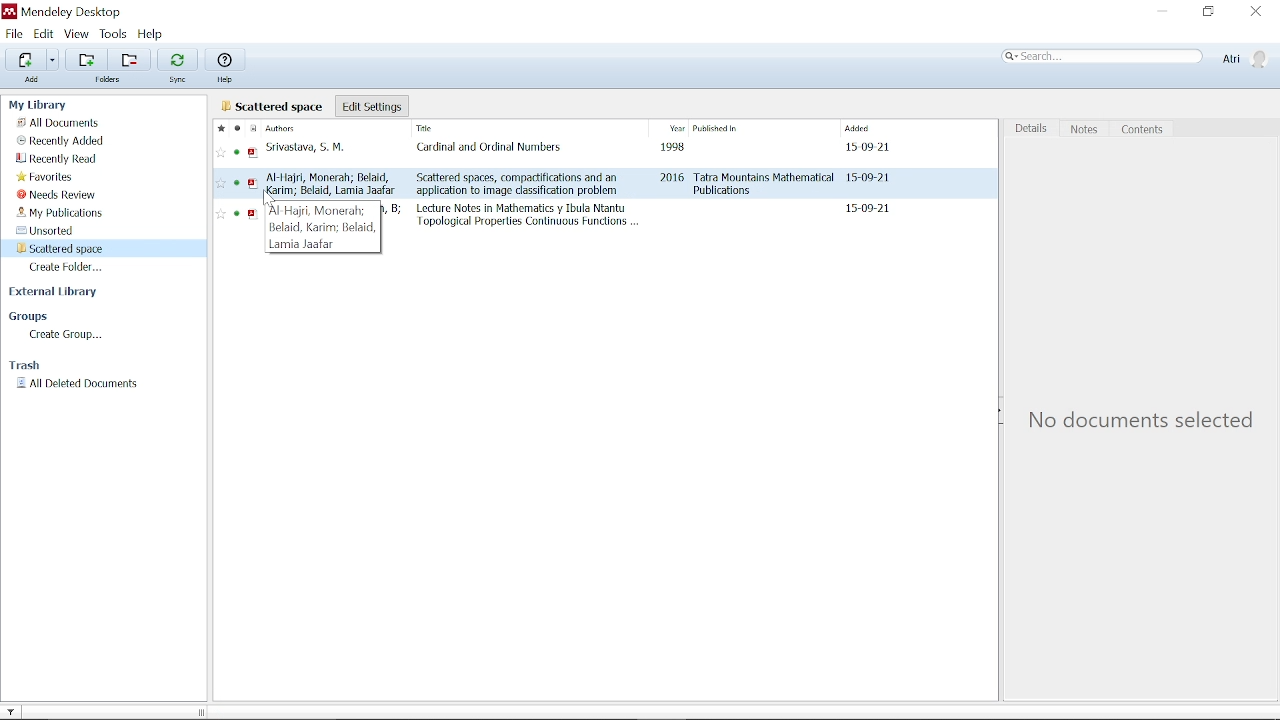 The height and width of the screenshot is (720, 1280). Describe the element at coordinates (297, 128) in the screenshot. I see `Authors` at that location.